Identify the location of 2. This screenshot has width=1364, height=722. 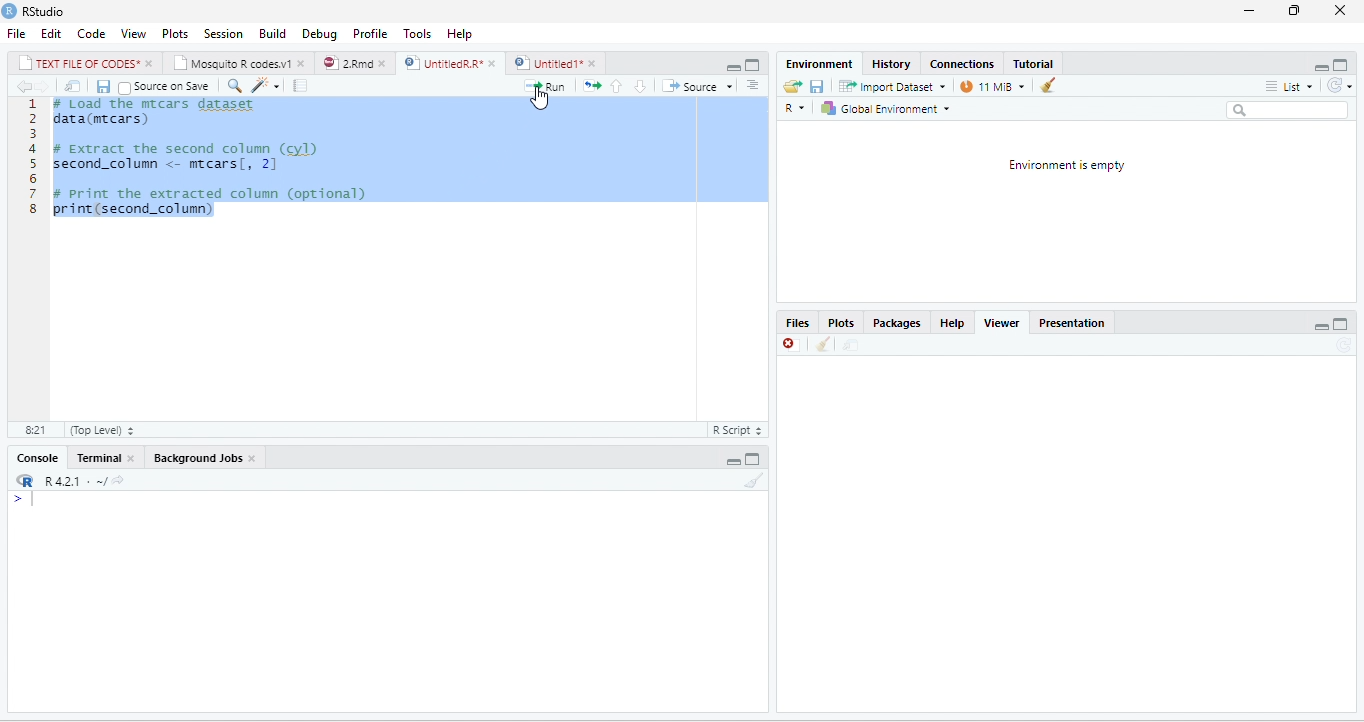
(33, 119).